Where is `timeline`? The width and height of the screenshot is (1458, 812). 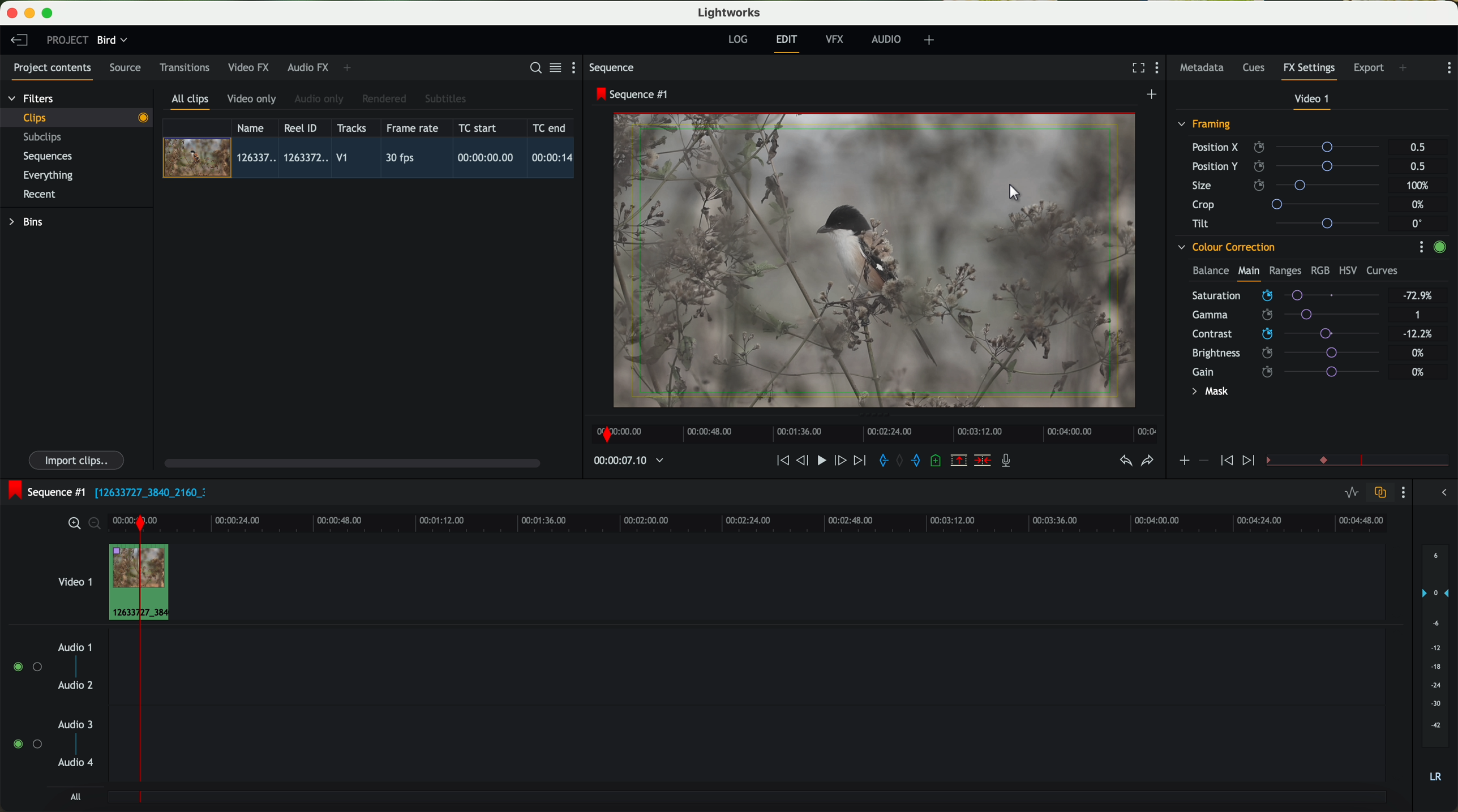
timeline is located at coordinates (871, 431).